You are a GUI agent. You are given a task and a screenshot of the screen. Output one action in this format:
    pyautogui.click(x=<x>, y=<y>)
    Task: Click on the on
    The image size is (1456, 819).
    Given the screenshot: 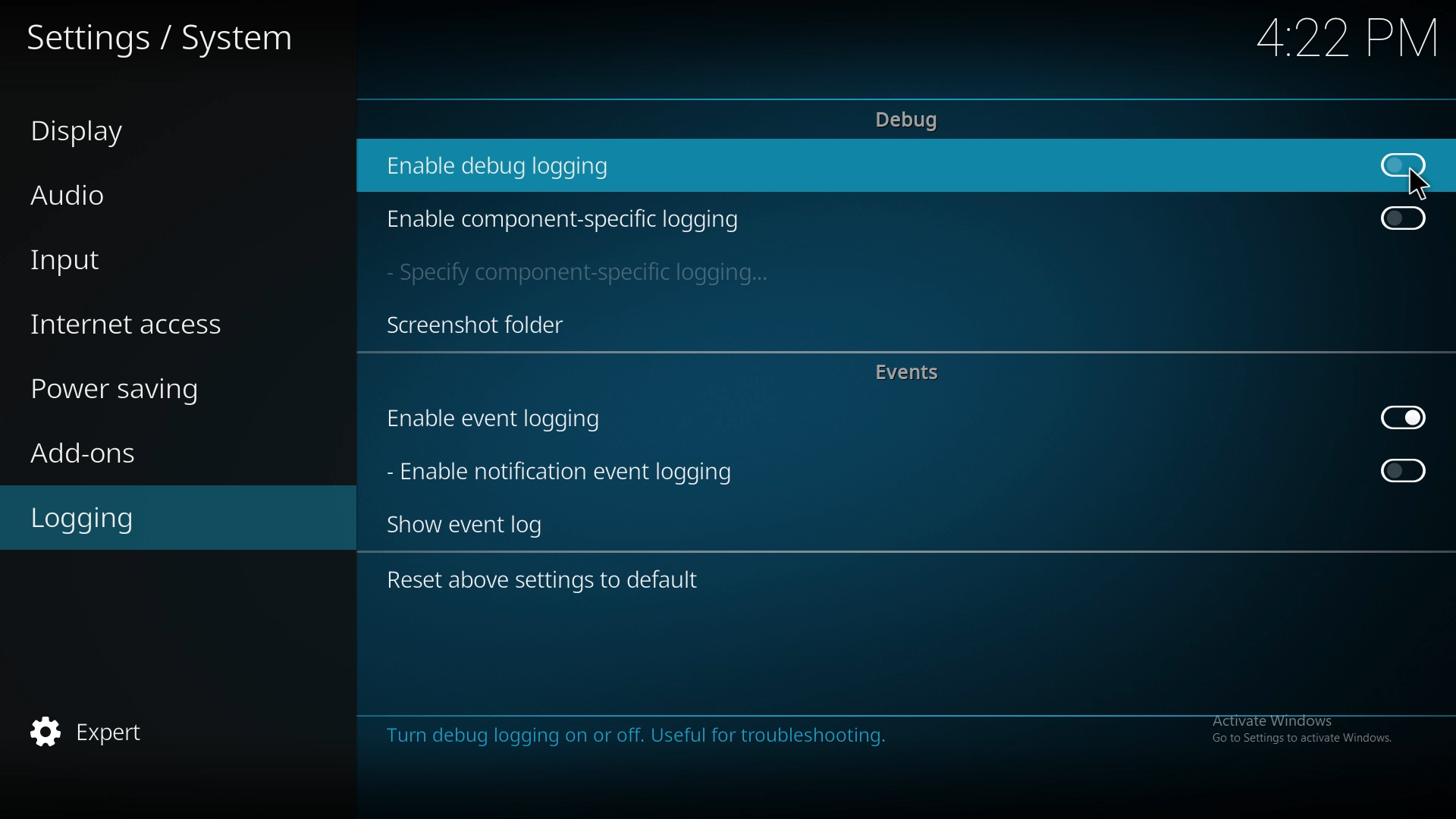 What is the action you would take?
    pyautogui.click(x=1403, y=417)
    